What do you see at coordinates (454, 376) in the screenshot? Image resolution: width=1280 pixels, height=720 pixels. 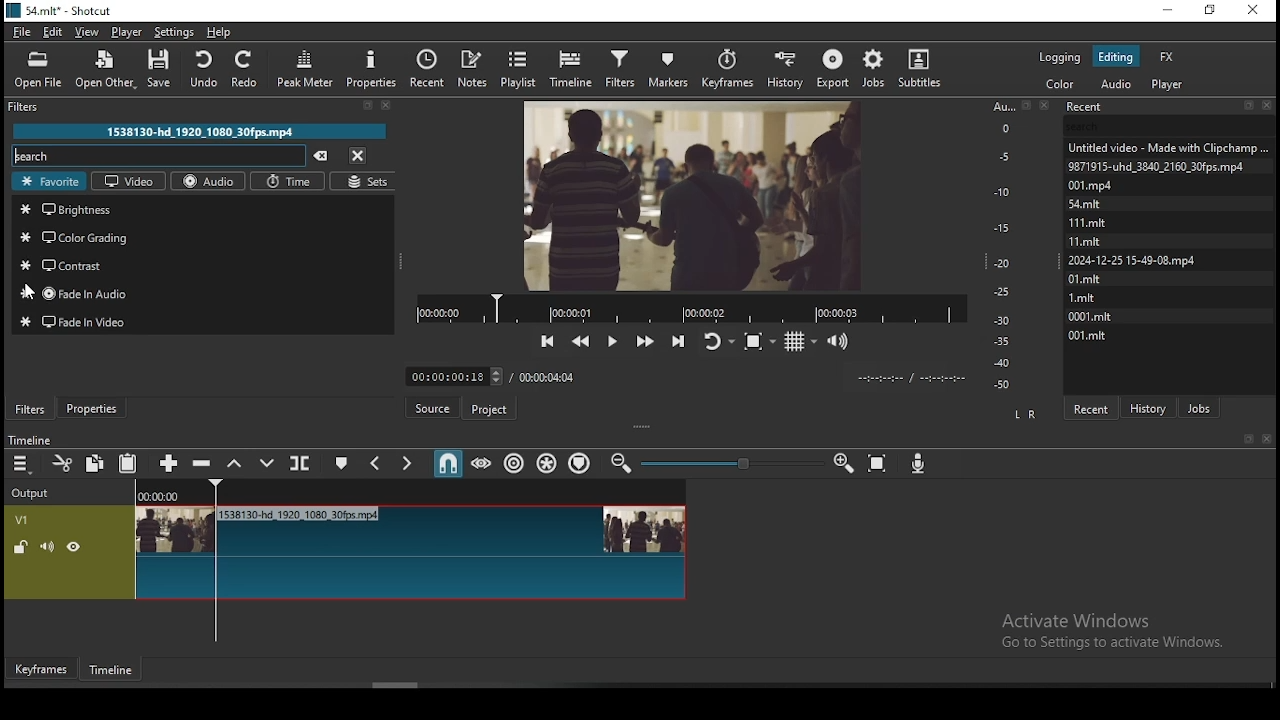 I see `elapsed time` at bounding box center [454, 376].